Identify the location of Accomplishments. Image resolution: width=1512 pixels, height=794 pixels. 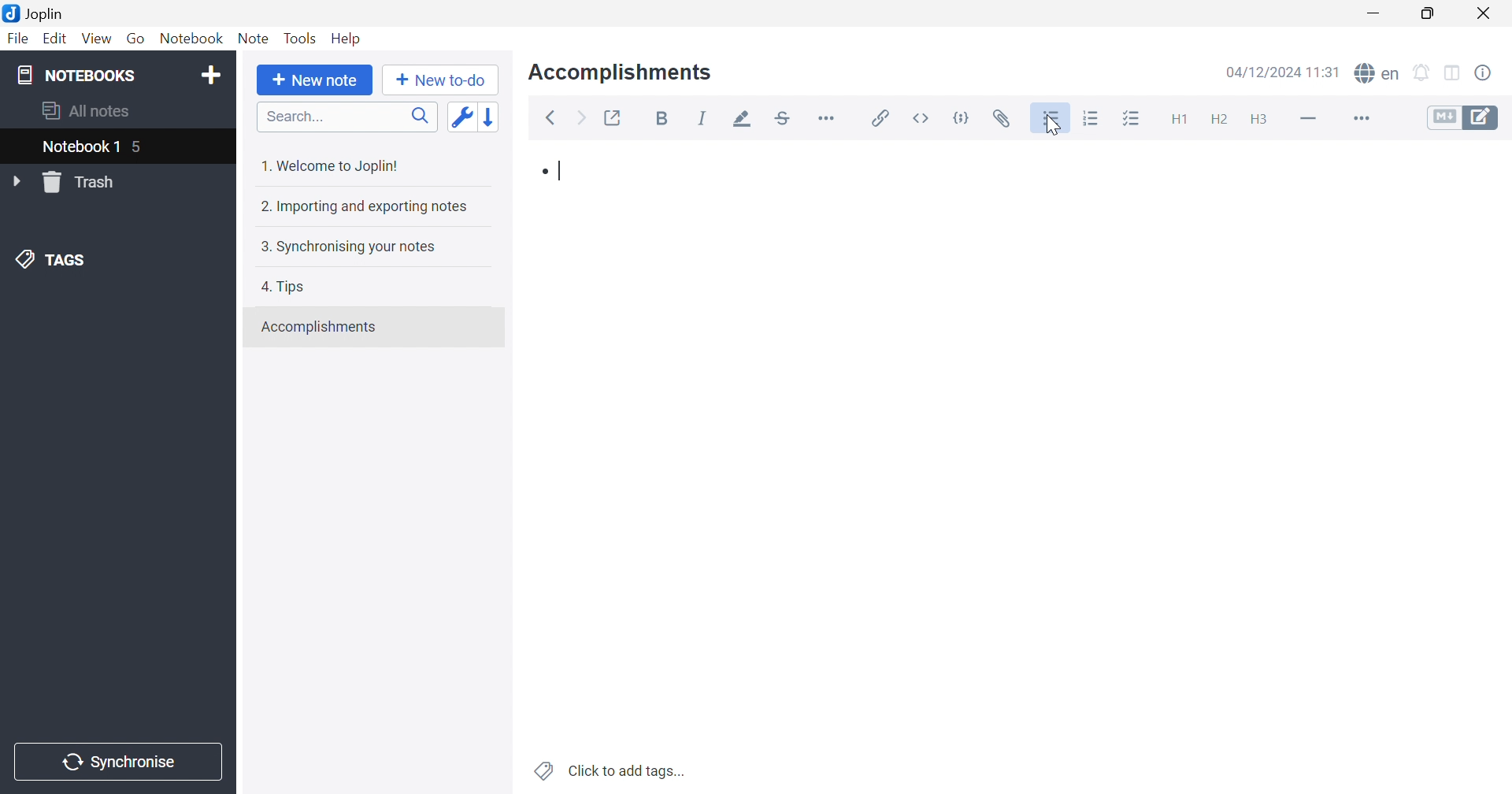
(621, 72).